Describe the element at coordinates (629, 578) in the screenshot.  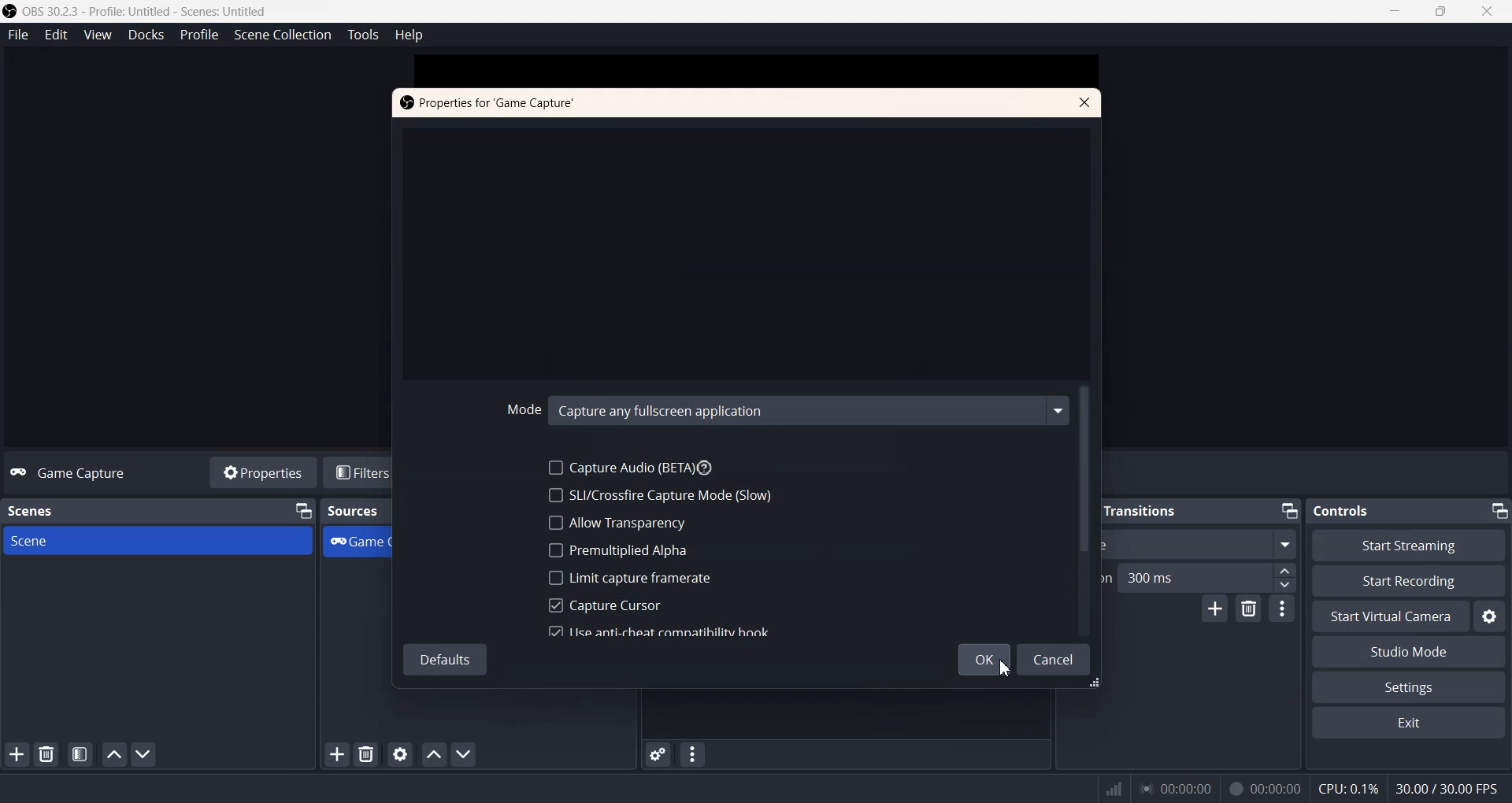
I see `Limit capture Framerate` at that location.